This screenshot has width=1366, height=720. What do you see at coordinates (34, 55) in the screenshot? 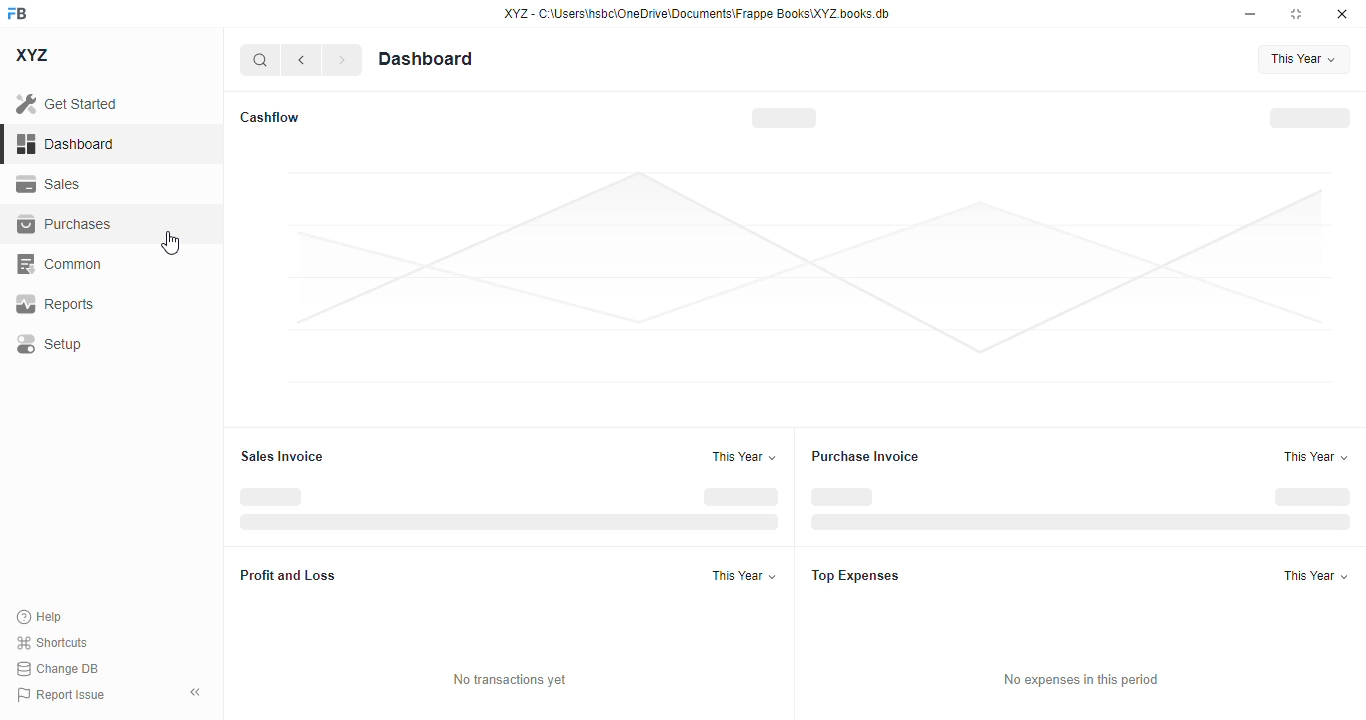
I see `XYZ` at bounding box center [34, 55].